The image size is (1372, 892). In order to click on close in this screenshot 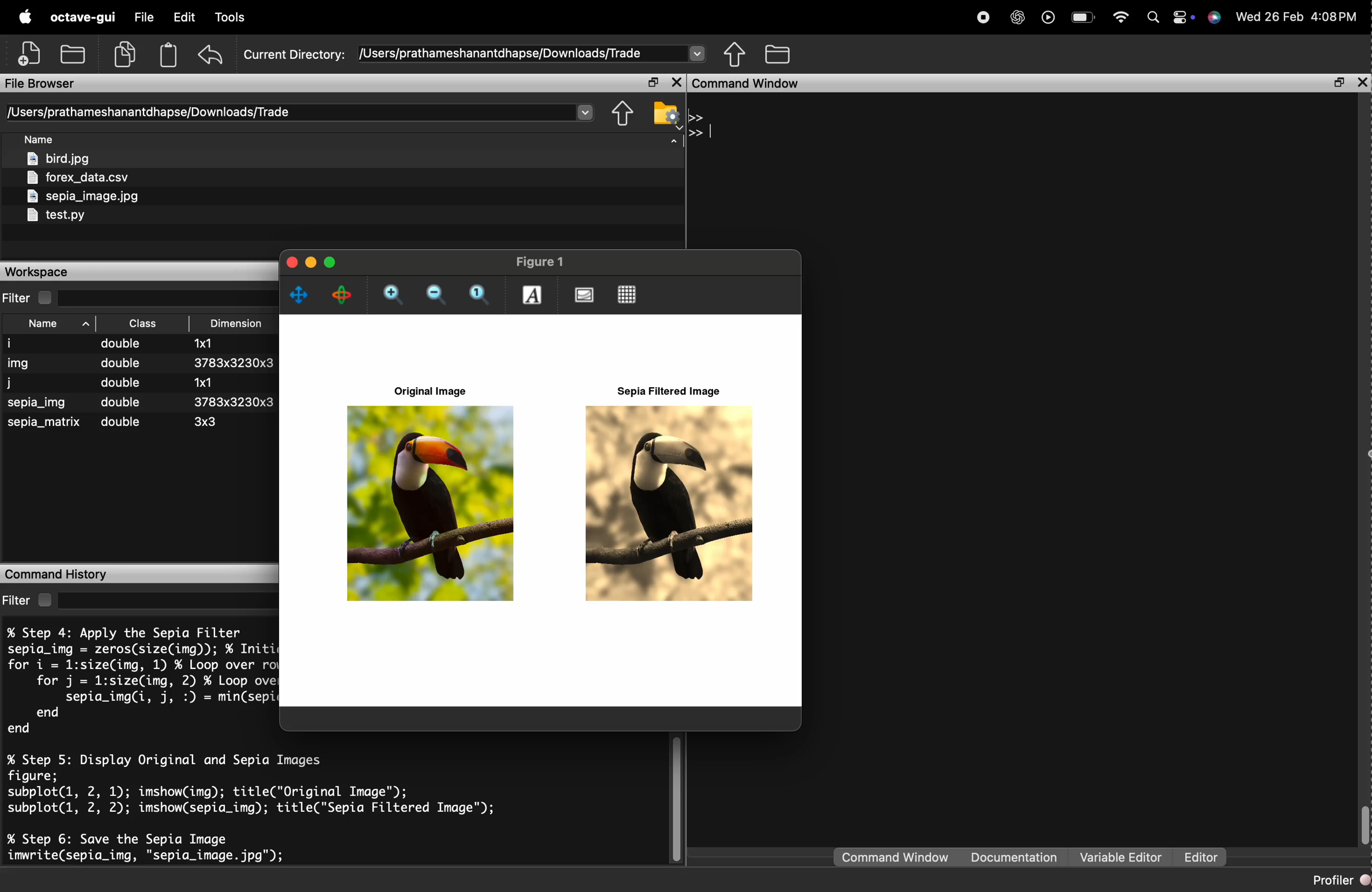, I will do `click(291, 262)`.